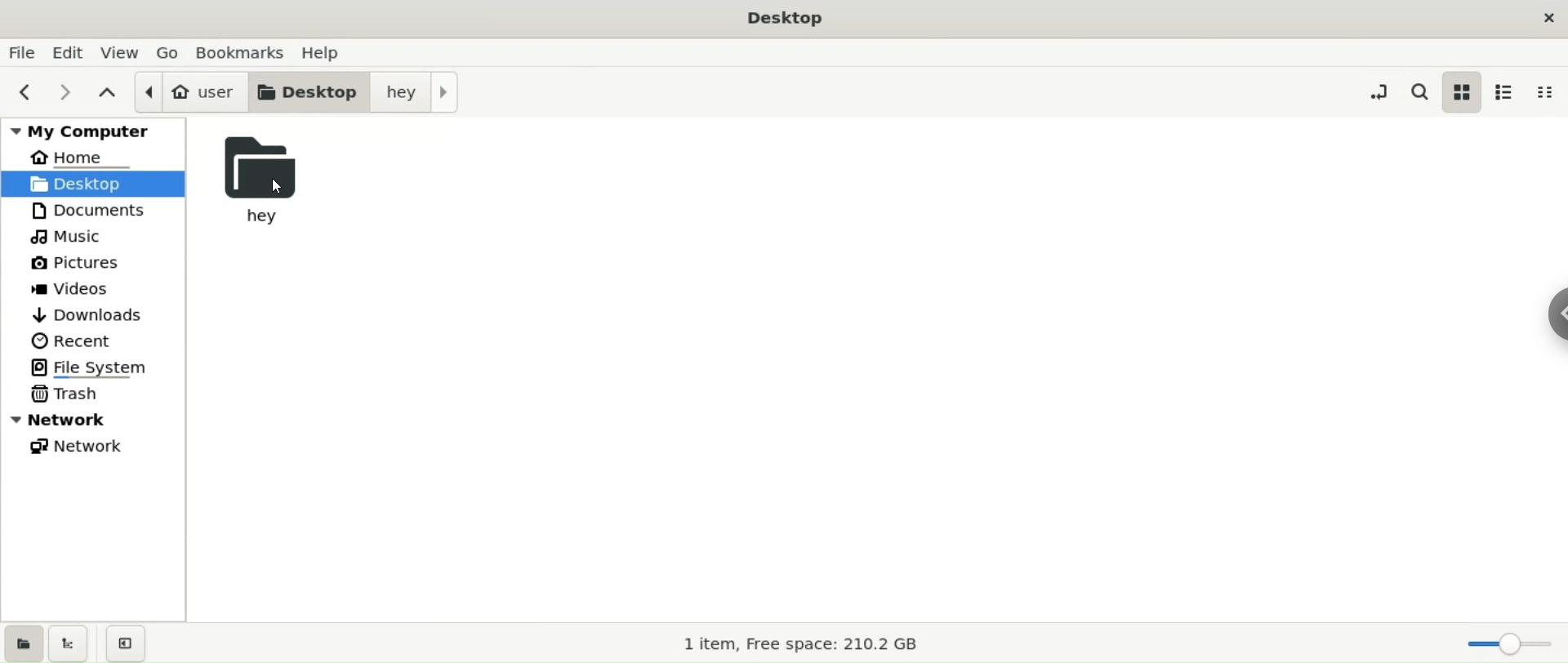 The height and width of the screenshot is (663, 1568). I want to click on edit, so click(67, 51).